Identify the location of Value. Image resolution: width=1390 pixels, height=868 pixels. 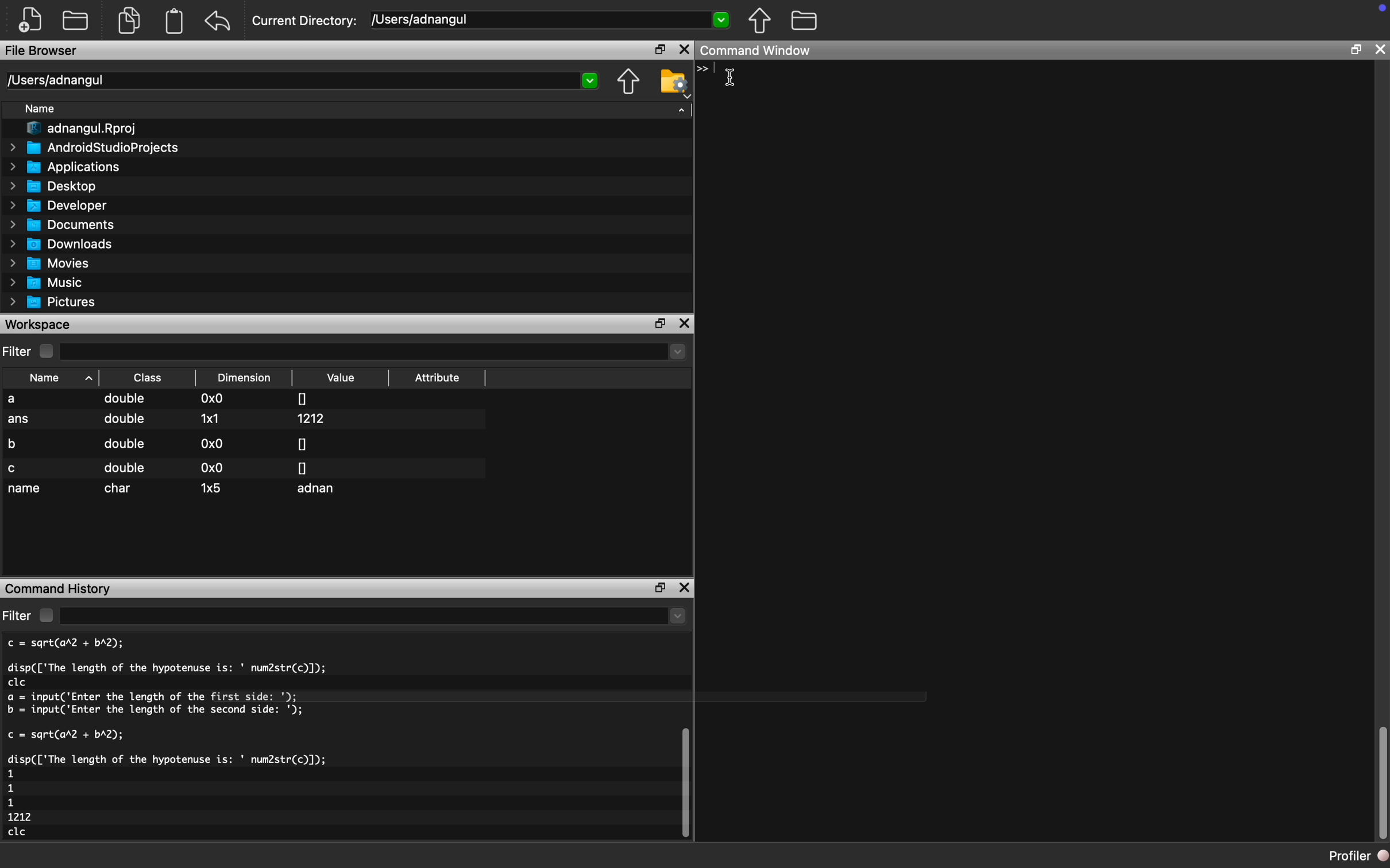
(343, 378).